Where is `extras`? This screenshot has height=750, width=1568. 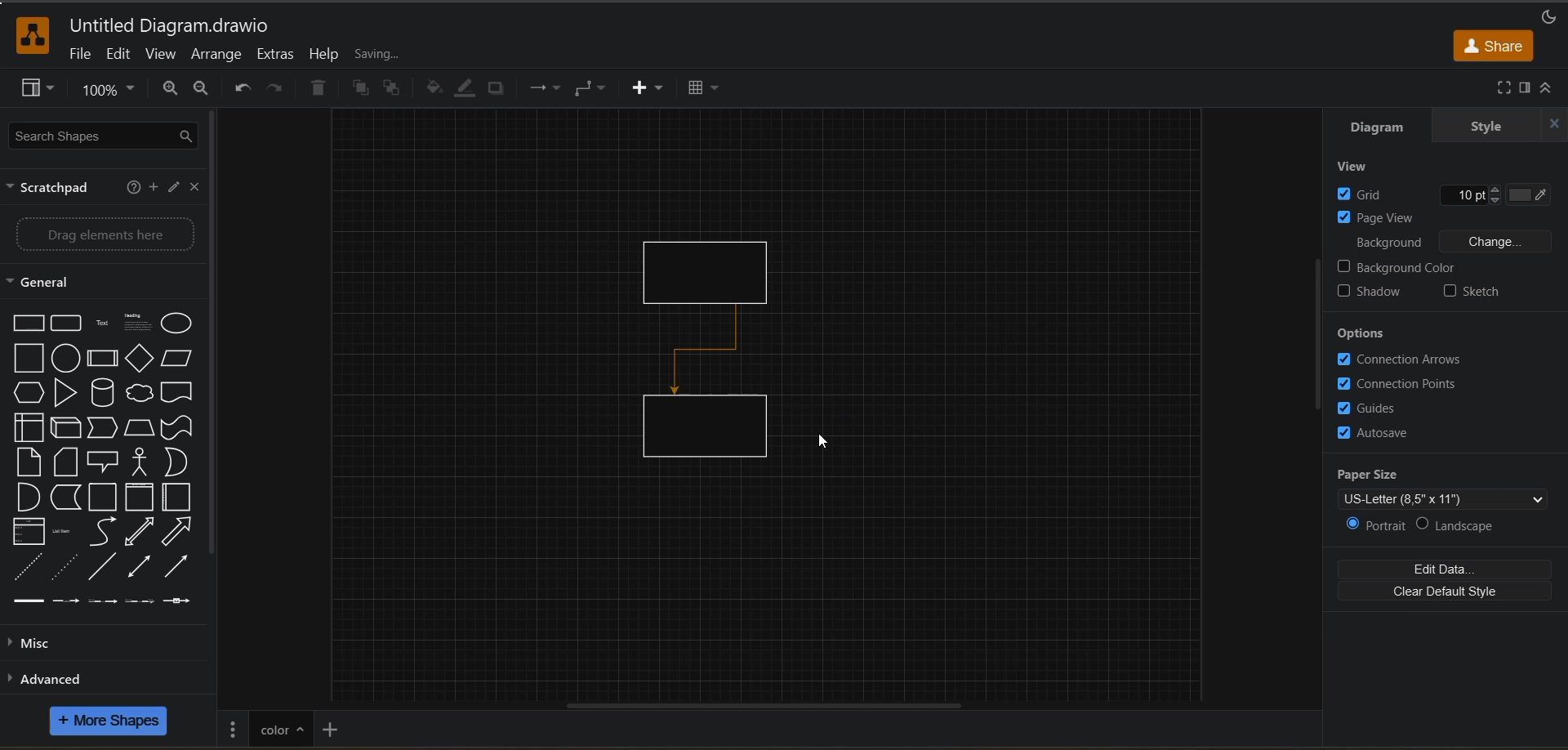 extras is located at coordinates (278, 55).